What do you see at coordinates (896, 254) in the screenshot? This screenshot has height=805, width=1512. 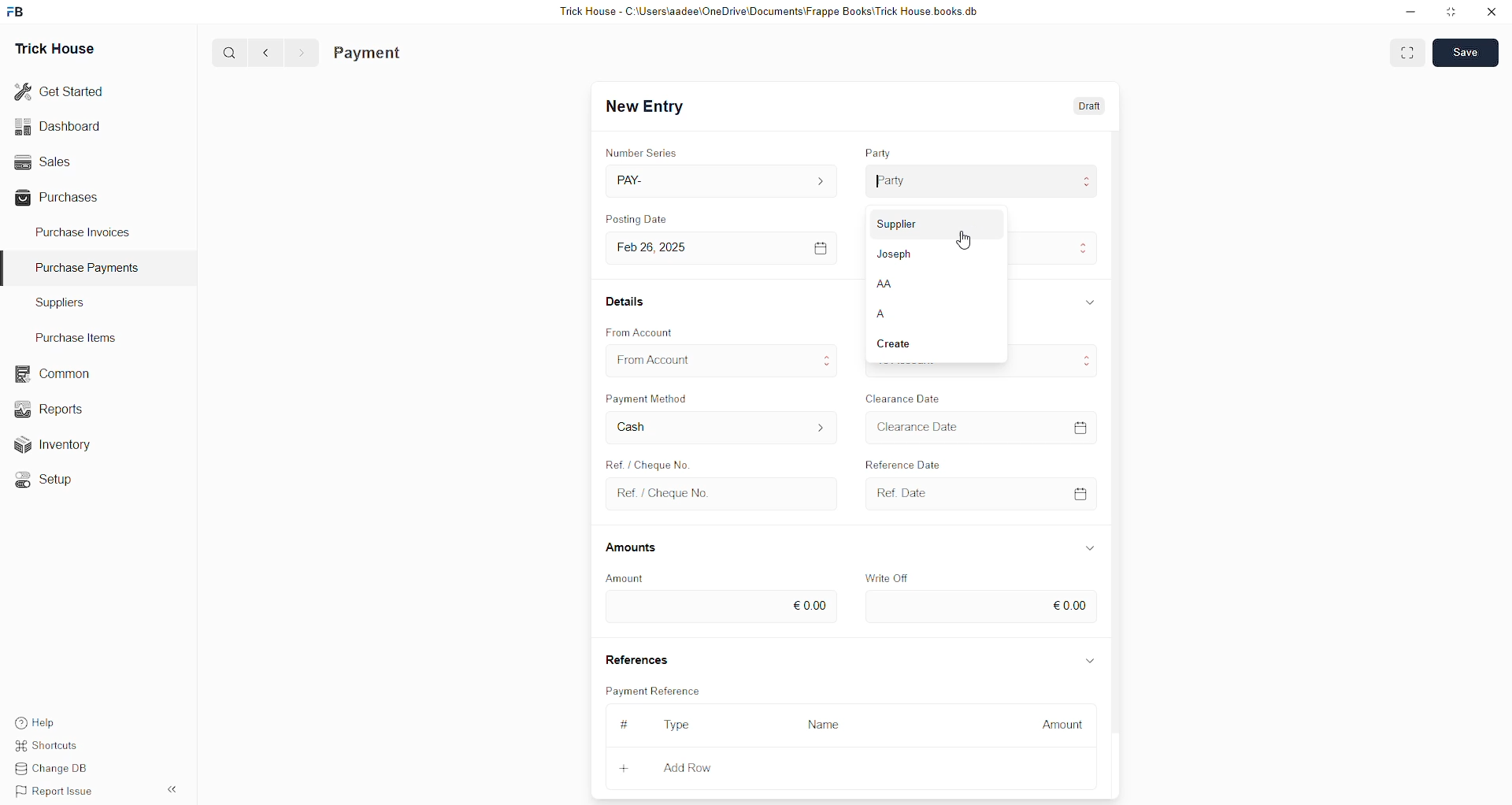 I see `Joseph` at bounding box center [896, 254].